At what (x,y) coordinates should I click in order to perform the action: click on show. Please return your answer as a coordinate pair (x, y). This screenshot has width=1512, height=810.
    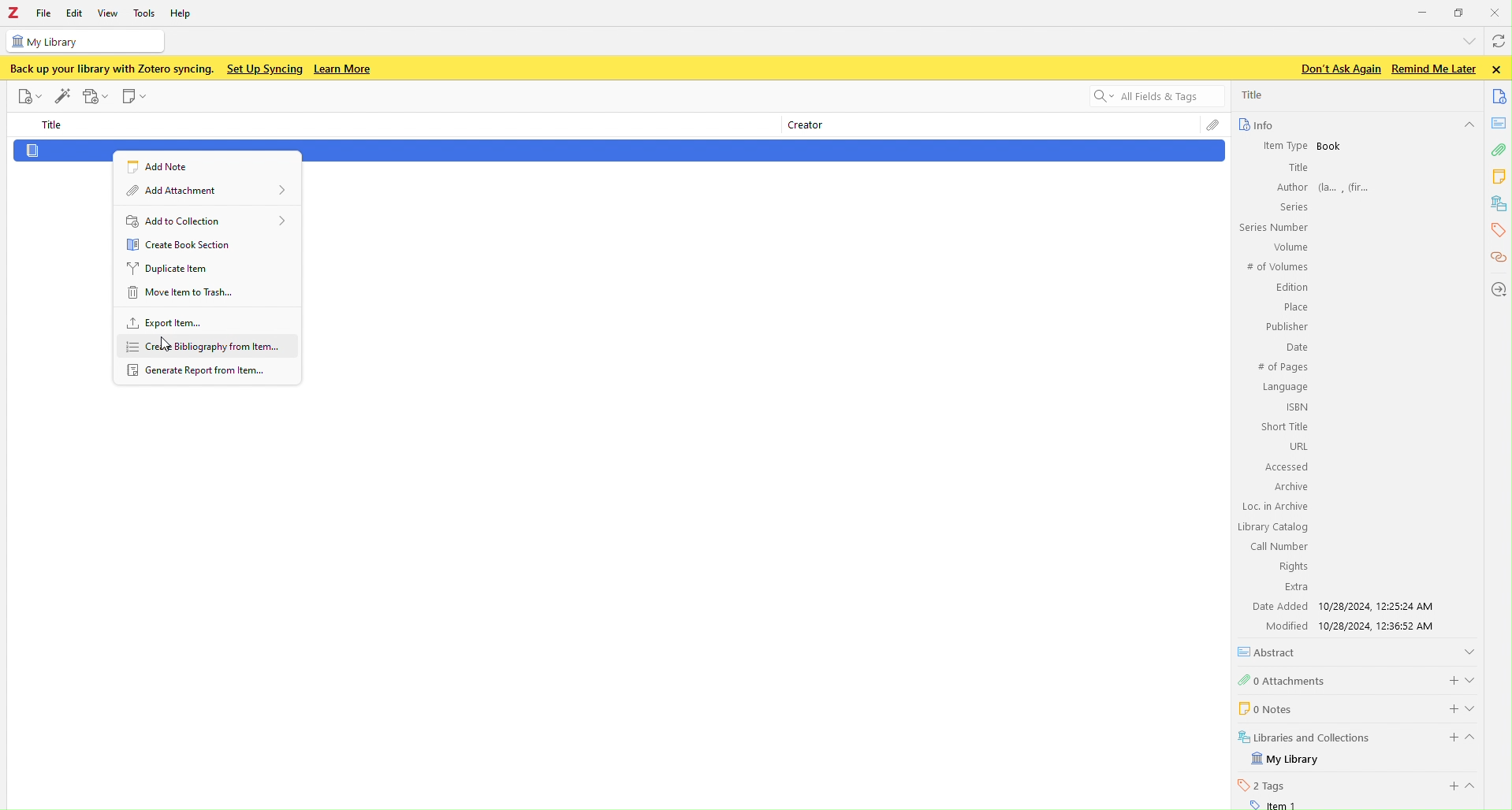
    Looking at the image, I should click on (1469, 650).